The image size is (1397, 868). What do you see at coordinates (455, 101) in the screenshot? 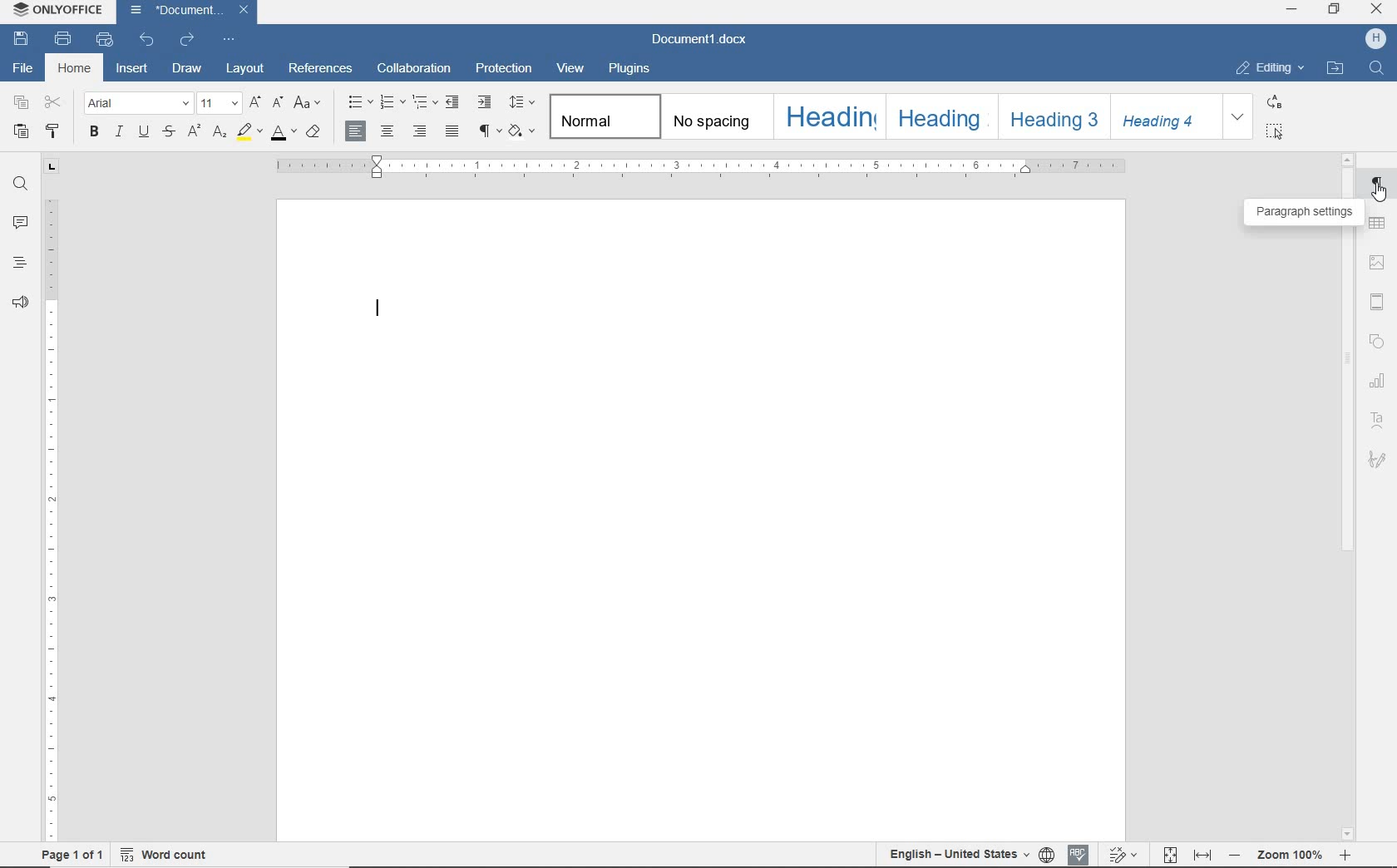
I see `decrease indent` at bounding box center [455, 101].